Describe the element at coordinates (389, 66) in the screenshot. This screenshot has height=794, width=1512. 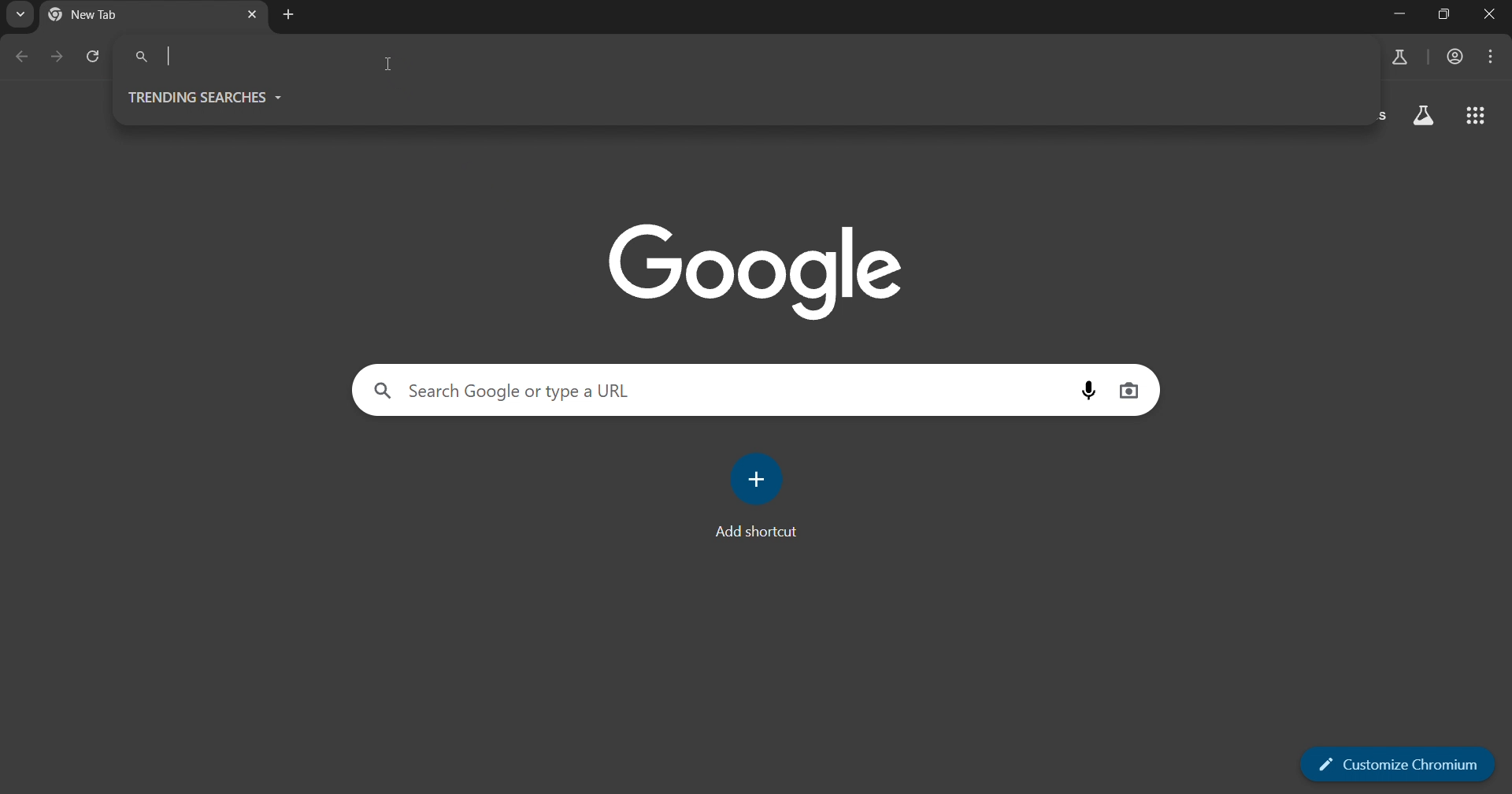
I see `cursor` at that location.